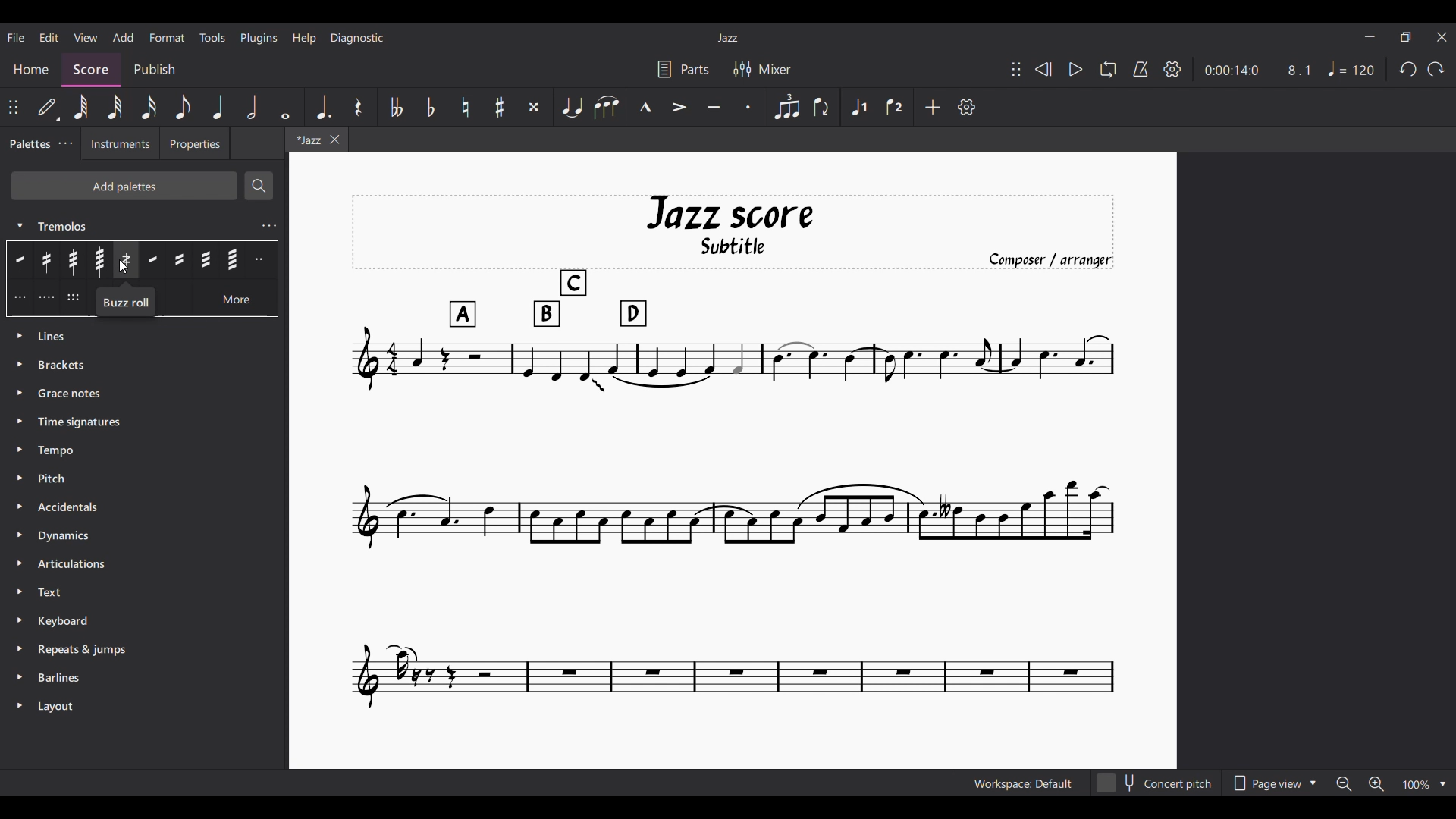 The height and width of the screenshot is (819, 1456). Describe the element at coordinates (466, 107) in the screenshot. I see `Toggle natural` at that location.